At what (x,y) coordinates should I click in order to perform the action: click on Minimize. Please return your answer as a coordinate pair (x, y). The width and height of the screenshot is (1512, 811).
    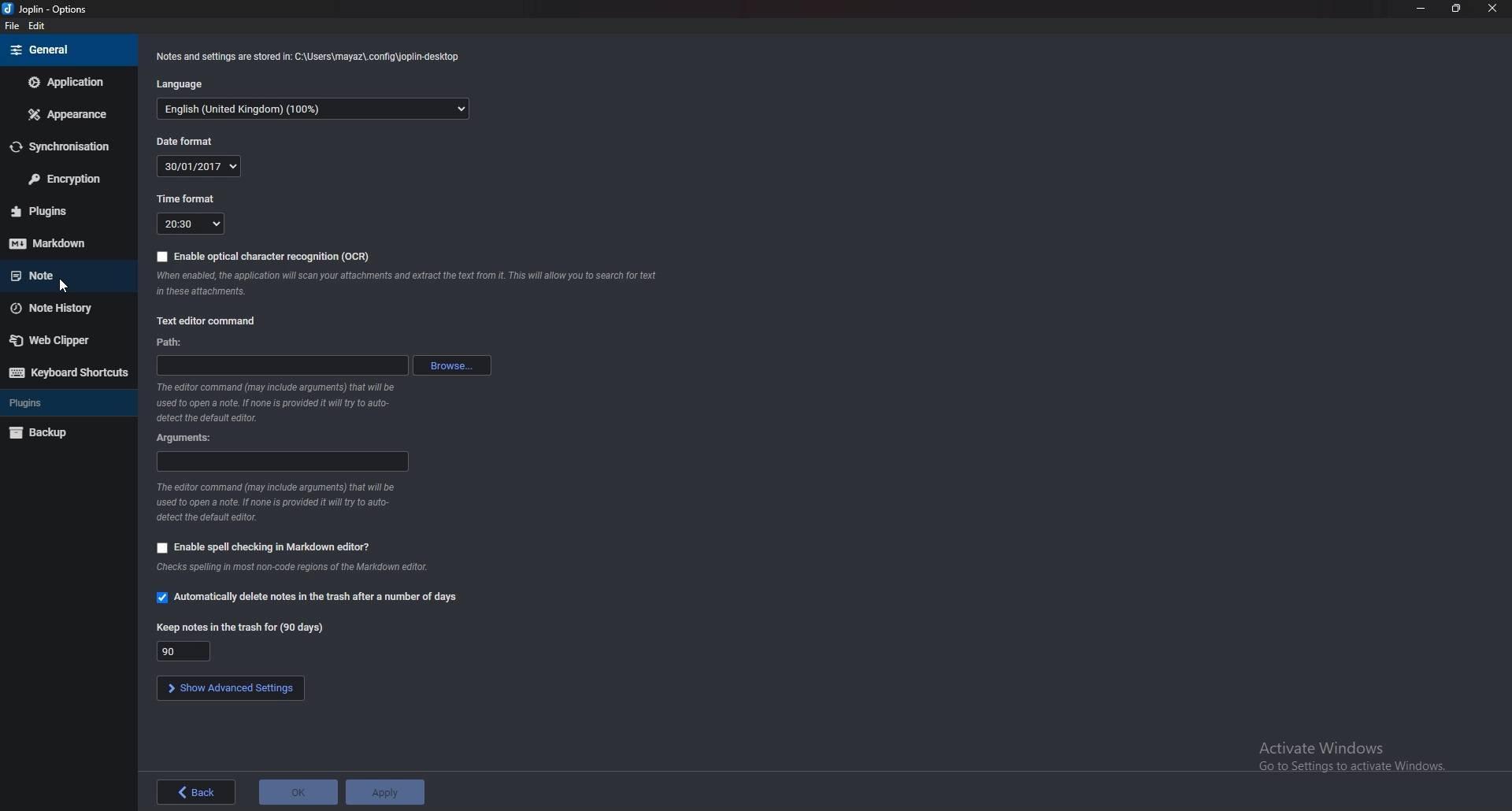
    Looking at the image, I should click on (1420, 9).